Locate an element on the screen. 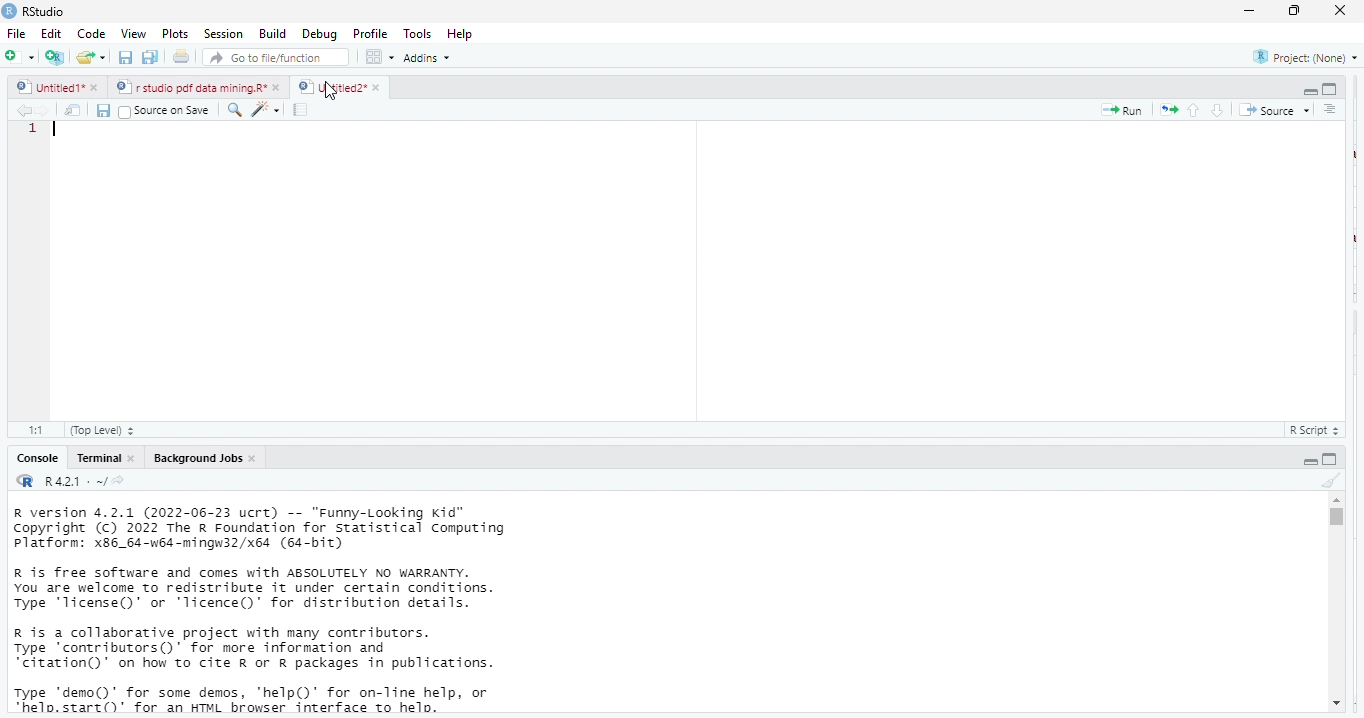 Image resolution: width=1364 pixels, height=718 pixels. edit is located at coordinates (51, 34).